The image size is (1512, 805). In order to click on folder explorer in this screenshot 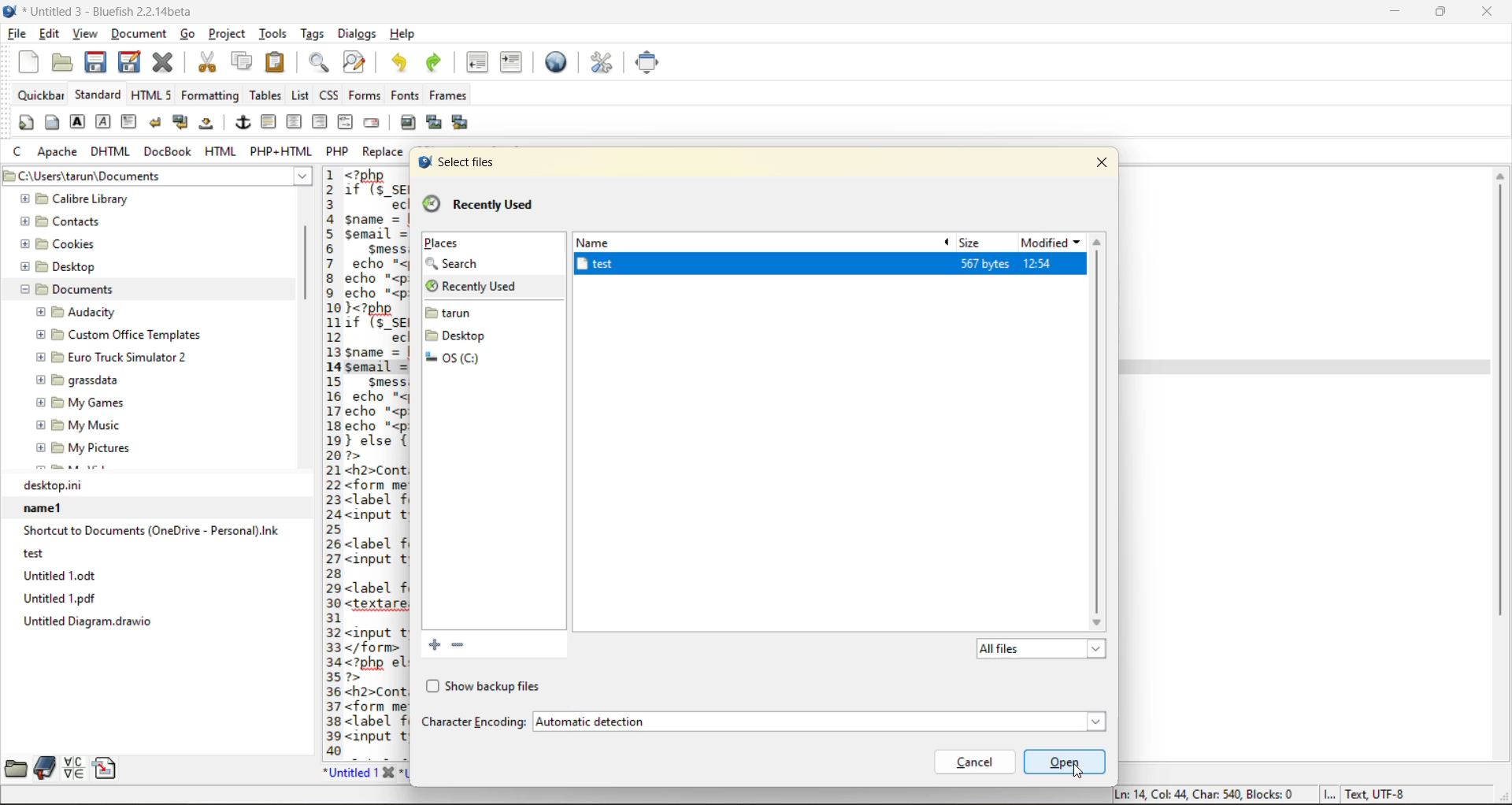, I will do `click(140, 332)`.